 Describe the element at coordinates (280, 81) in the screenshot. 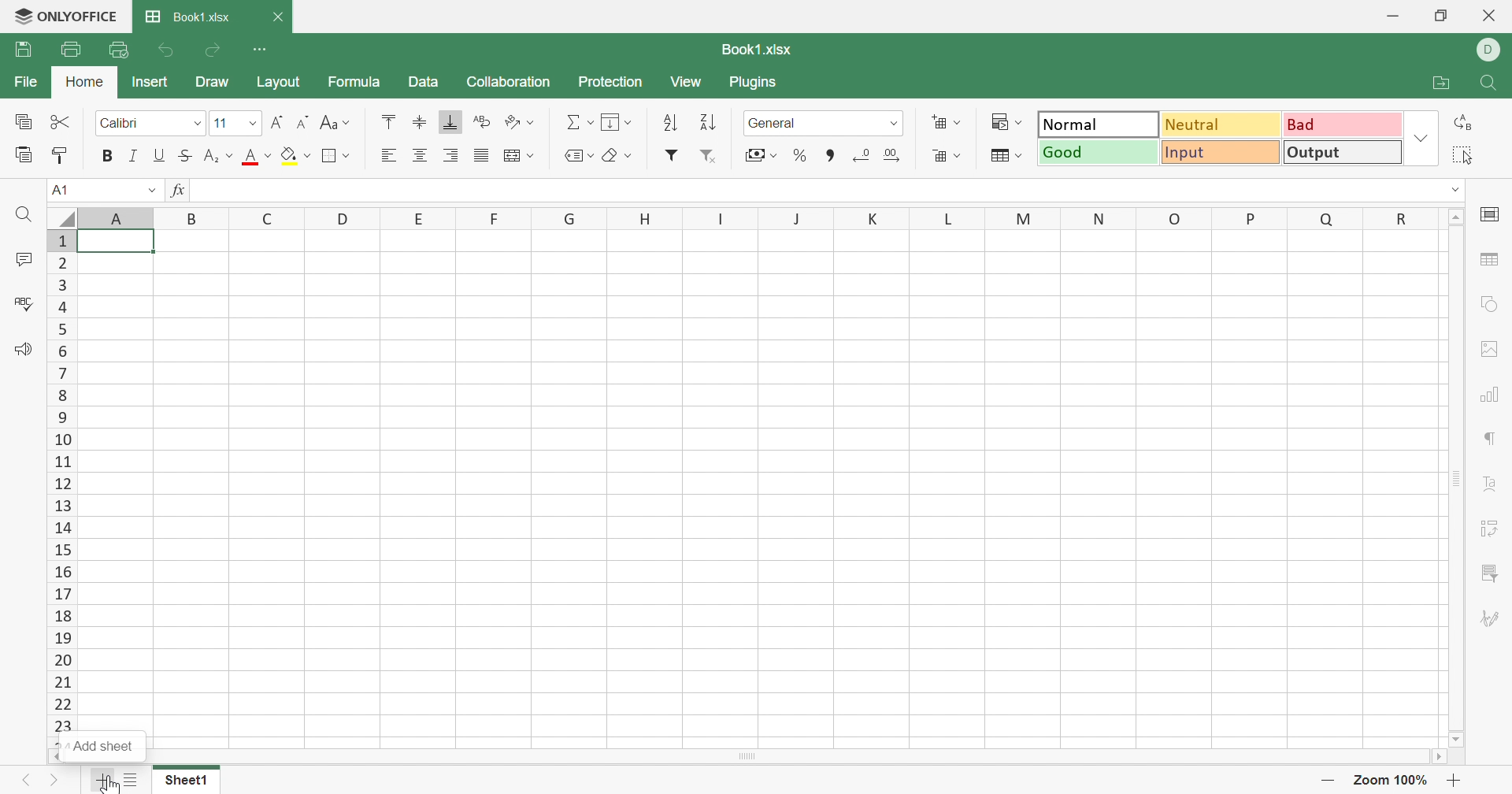

I see `Layout` at that location.